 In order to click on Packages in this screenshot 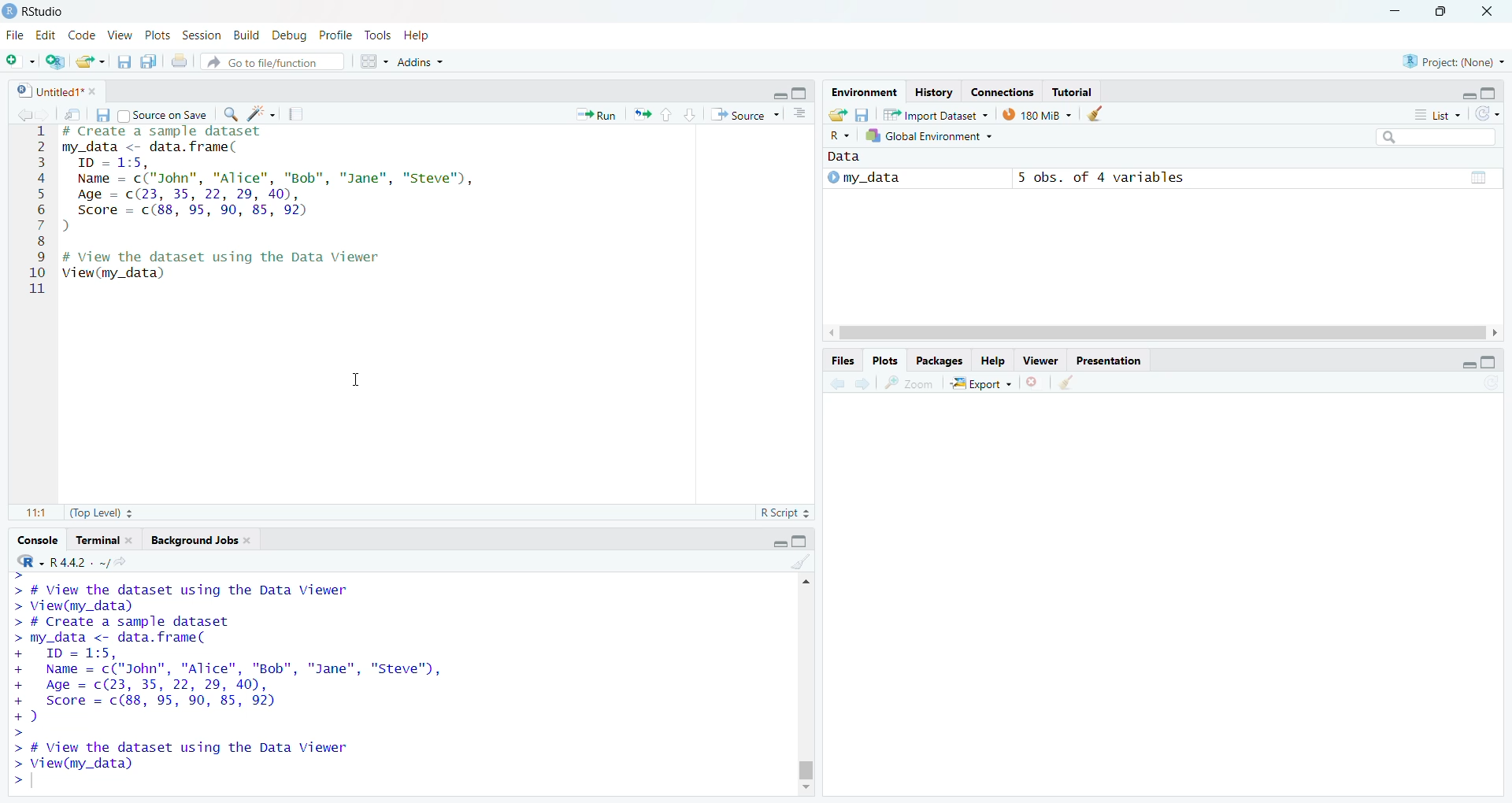, I will do `click(940, 361)`.